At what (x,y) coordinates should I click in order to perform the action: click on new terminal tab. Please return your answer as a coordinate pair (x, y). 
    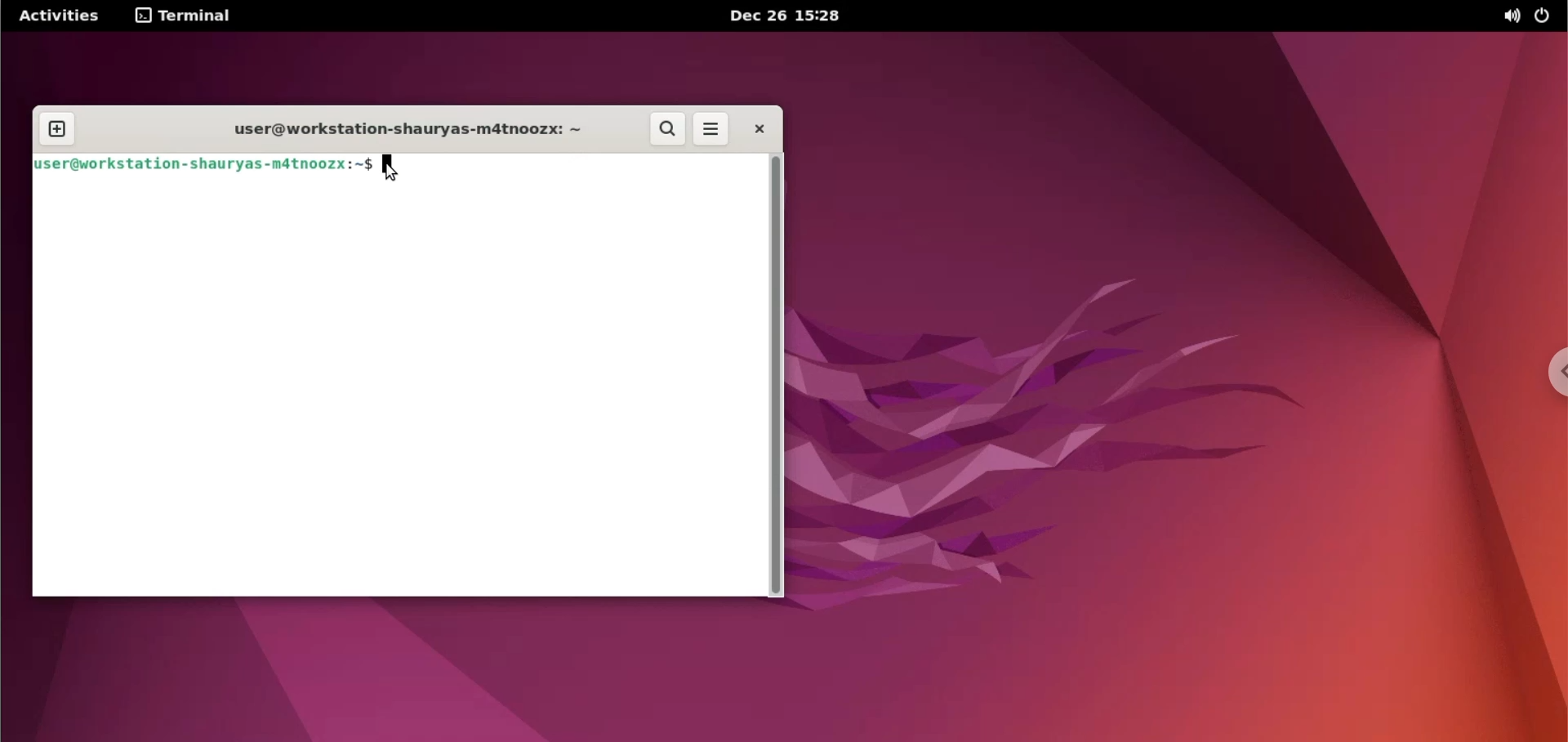
    Looking at the image, I should click on (58, 129).